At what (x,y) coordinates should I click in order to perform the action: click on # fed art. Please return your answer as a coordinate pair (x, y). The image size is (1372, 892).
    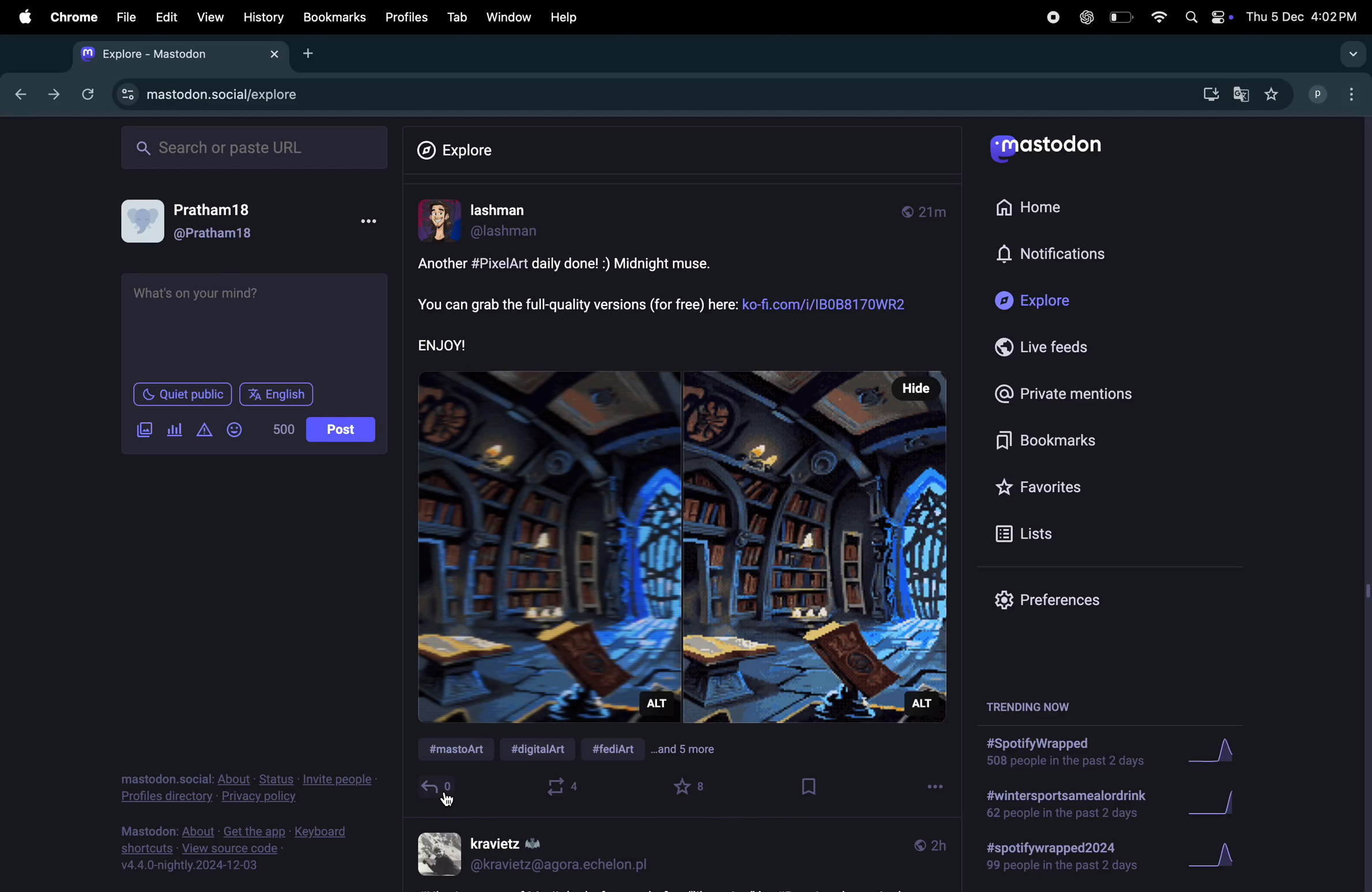
    Looking at the image, I should click on (620, 747).